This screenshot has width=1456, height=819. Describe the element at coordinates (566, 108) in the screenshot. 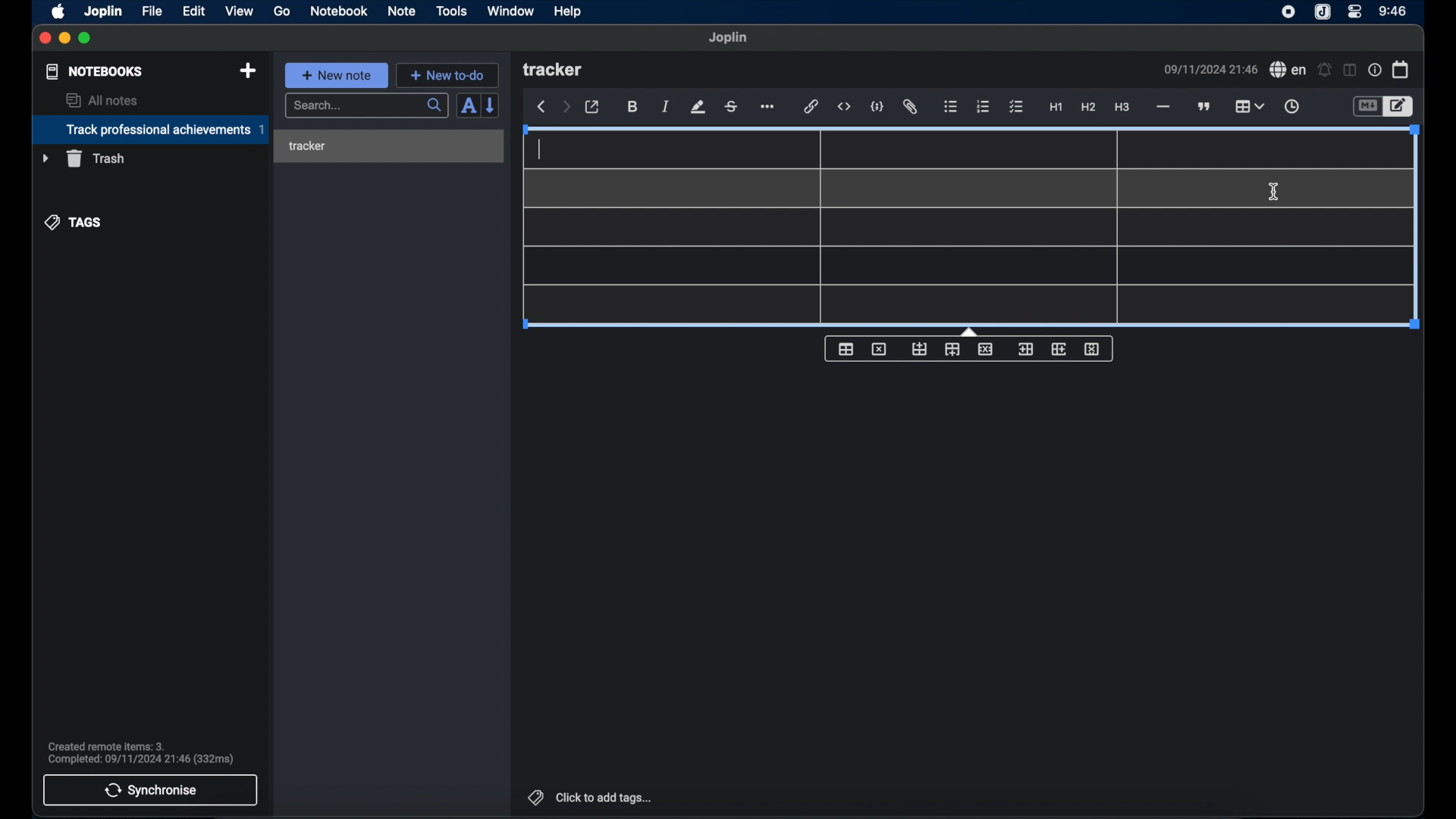

I see `forward` at that location.